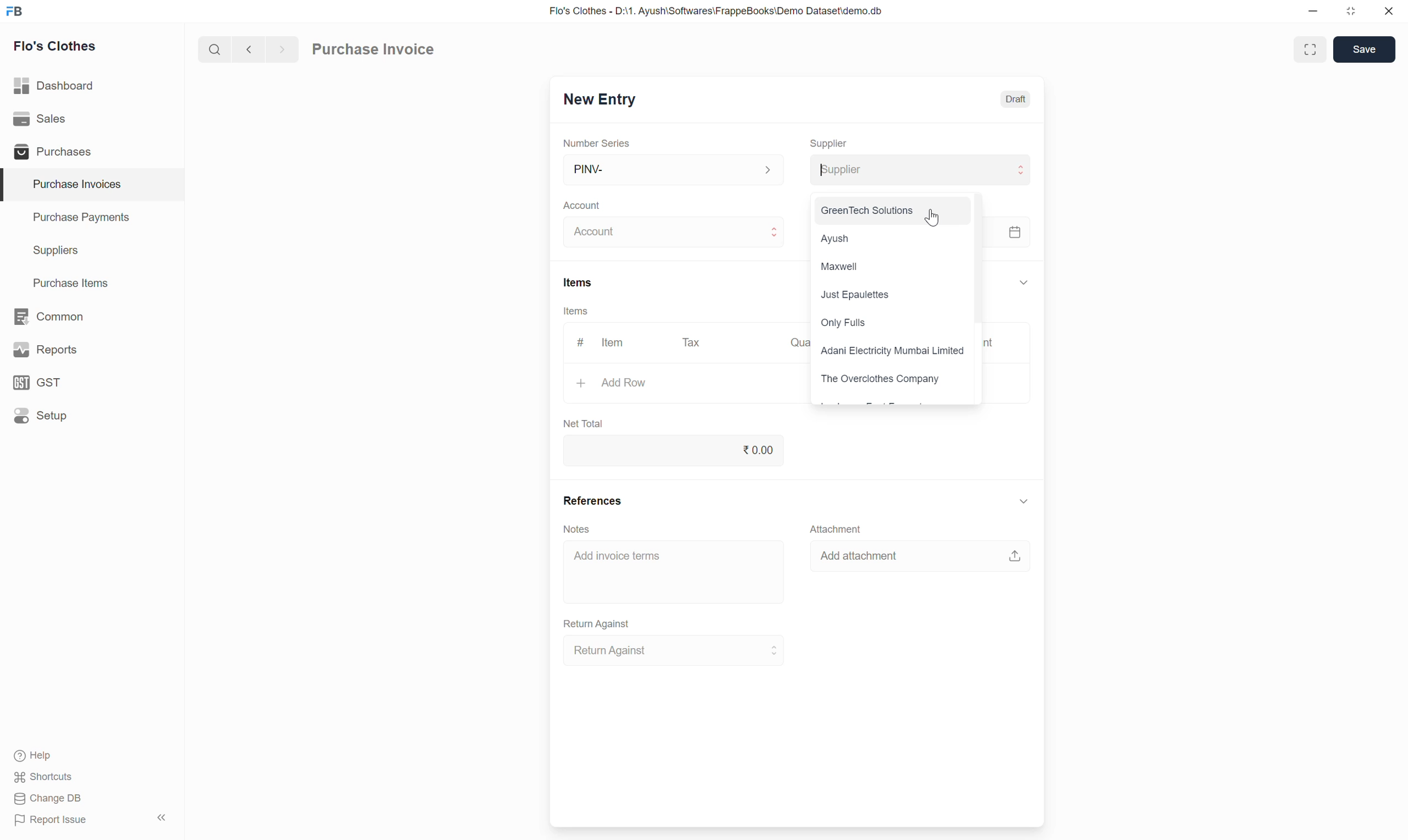  What do you see at coordinates (829, 144) in the screenshot?
I see `Supplier` at bounding box center [829, 144].